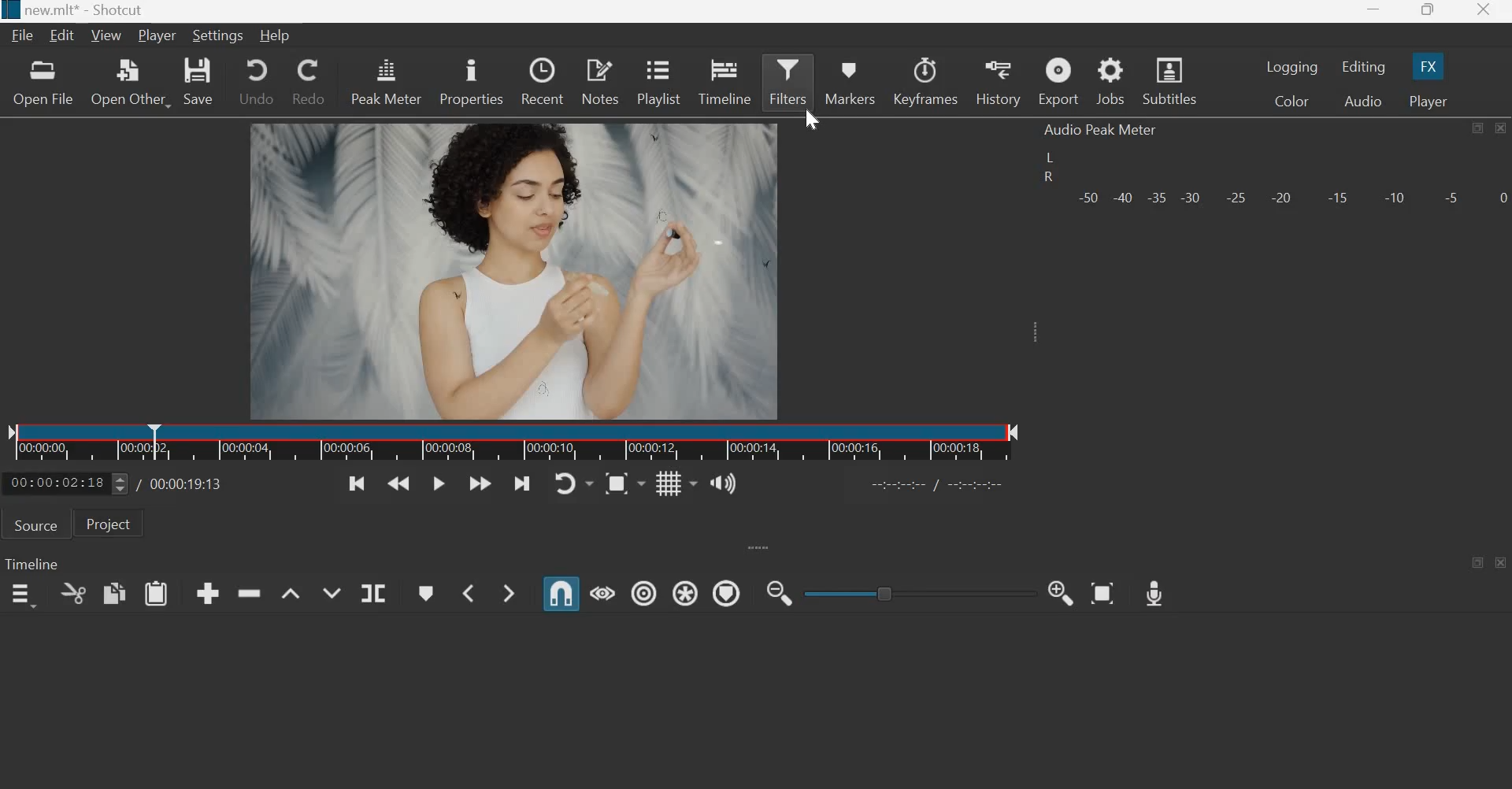  I want to click on Source, so click(35, 524).